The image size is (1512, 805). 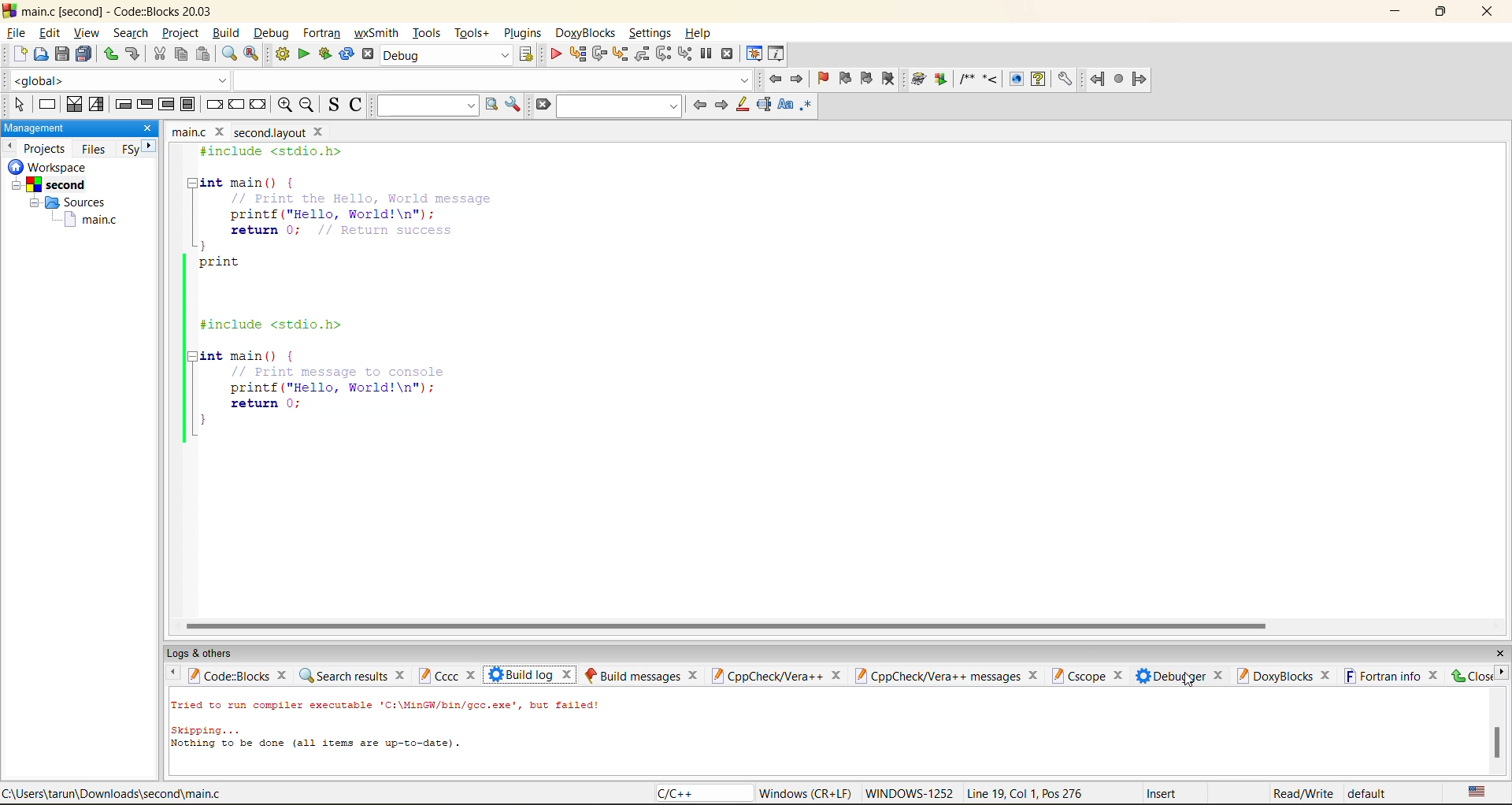 What do you see at coordinates (888, 81) in the screenshot?
I see `clear bookmark` at bounding box center [888, 81].